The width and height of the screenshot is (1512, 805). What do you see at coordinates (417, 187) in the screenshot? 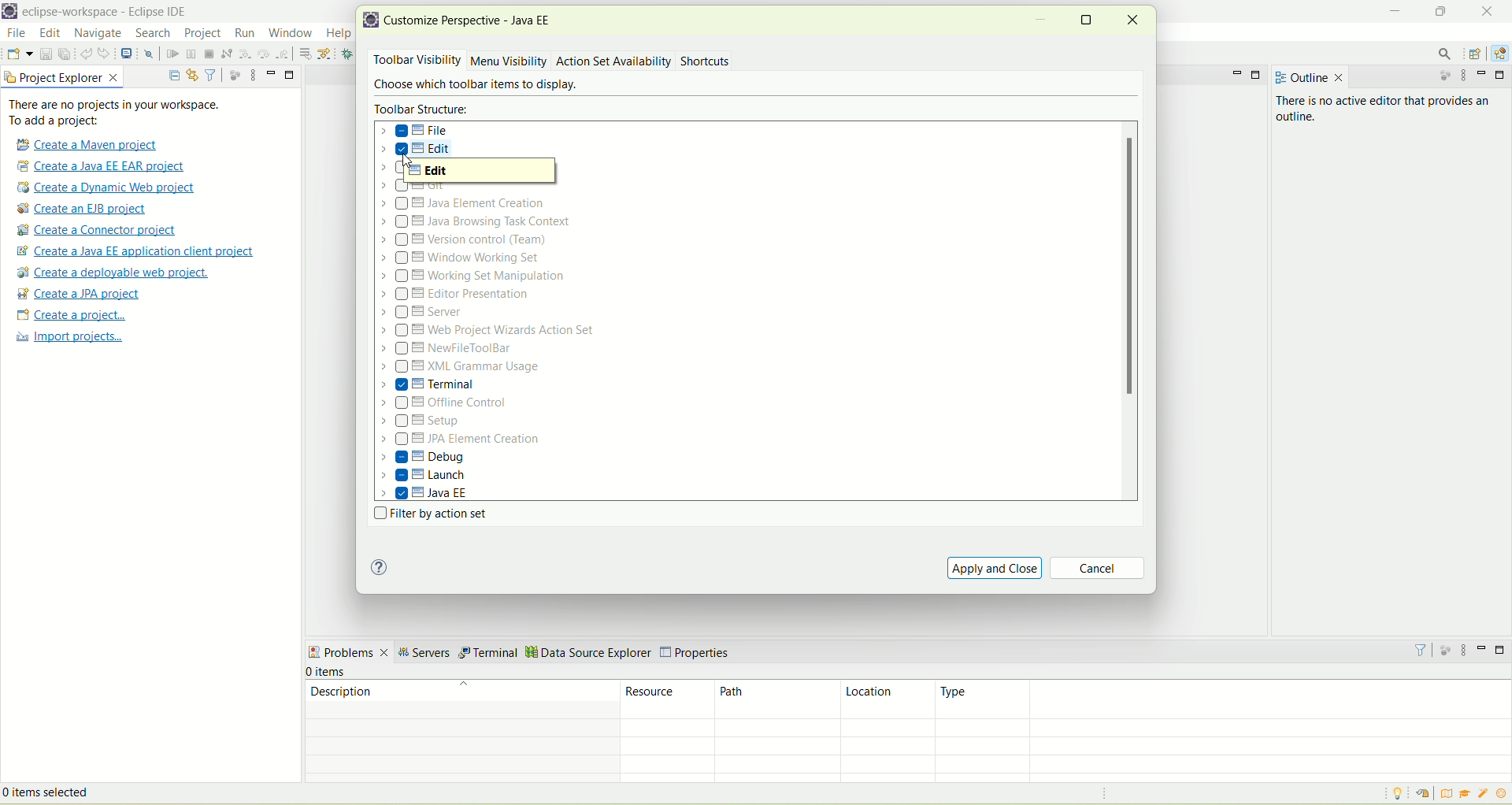
I see `git` at bounding box center [417, 187].